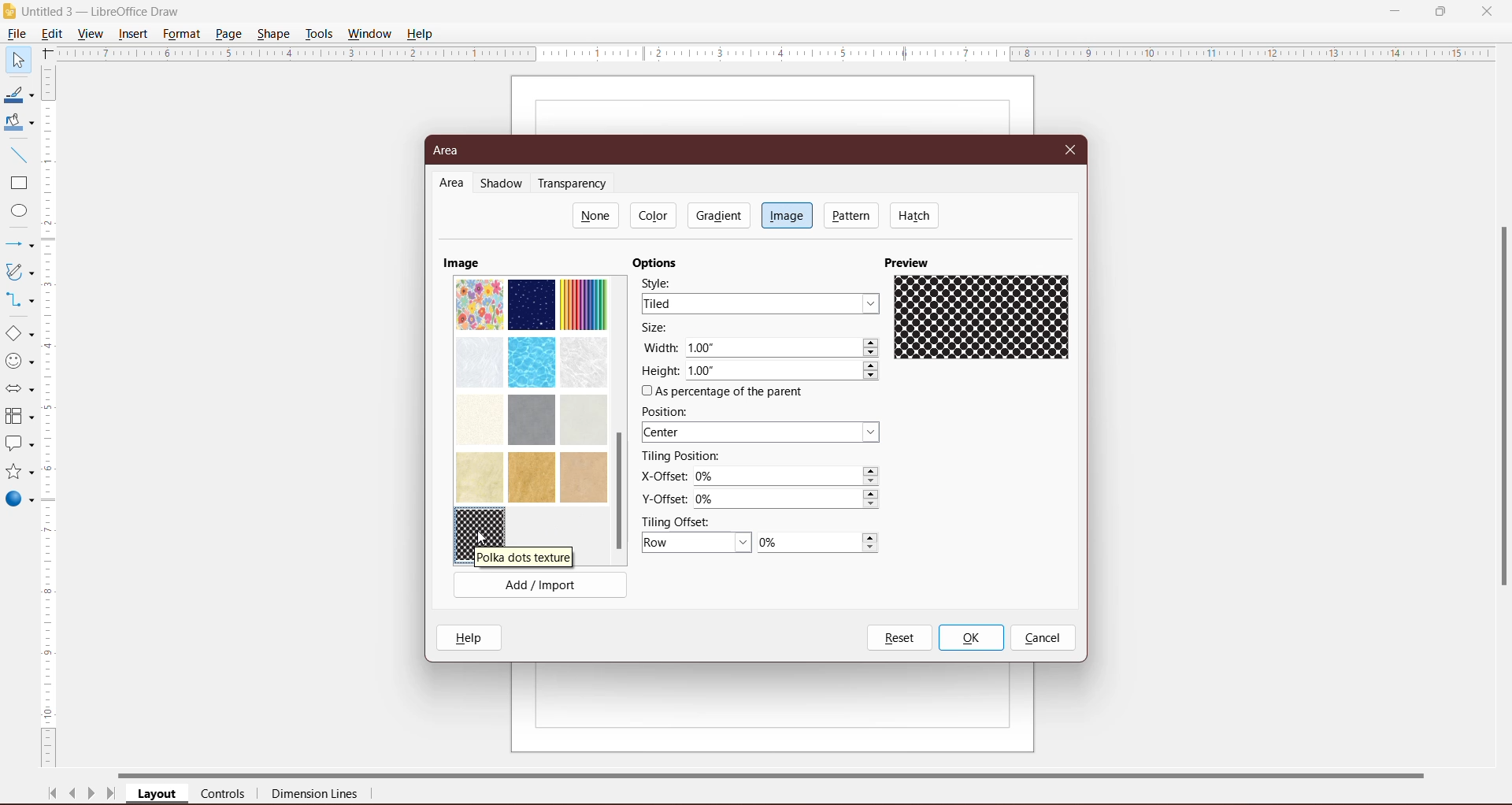  What do you see at coordinates (791, 499) in the screenshot?
I see `Set the Y-Offset` at bounding box center [791, 499].